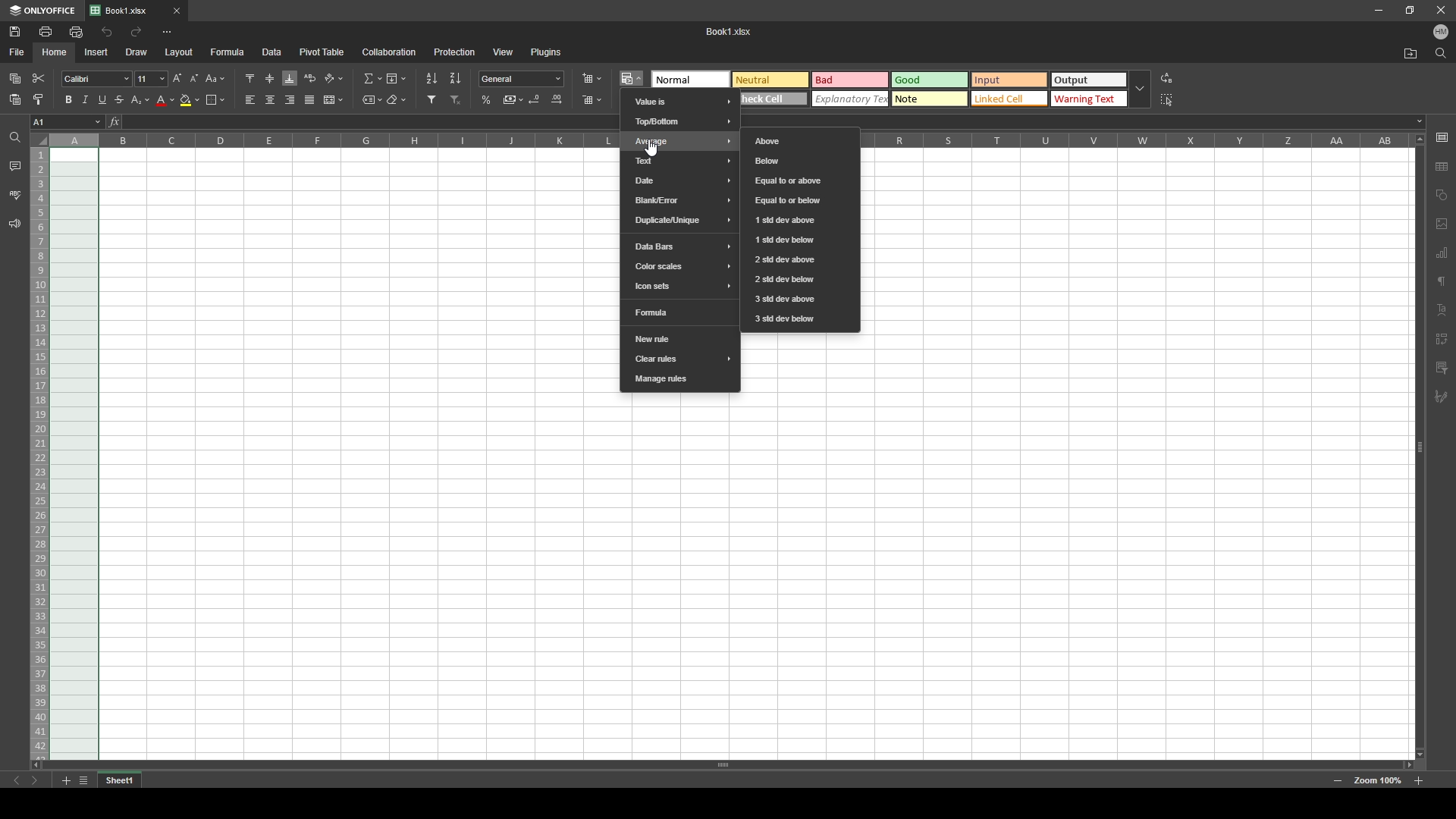 The height and width of the screenshot is (819, 1456). I want to click on blank error, so click(679, 200).